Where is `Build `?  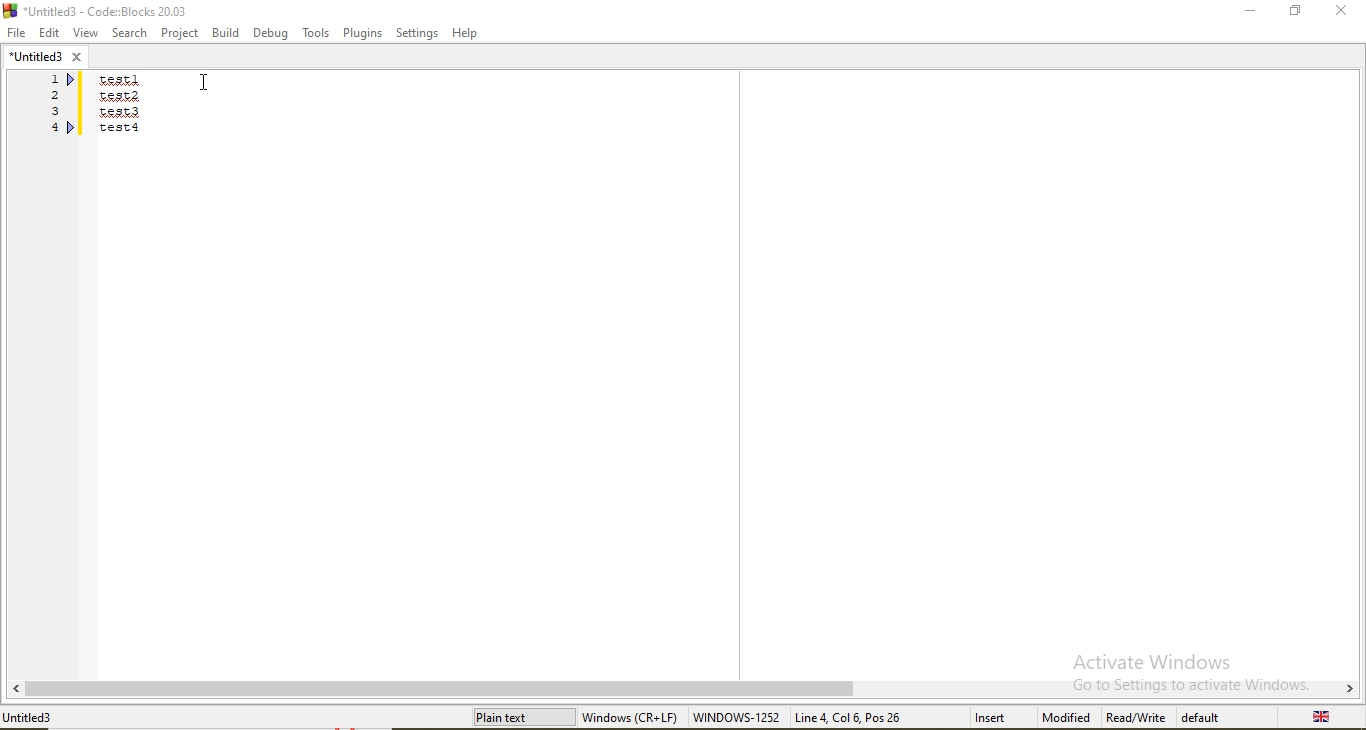 Build  is located at coordinates (227, 33).